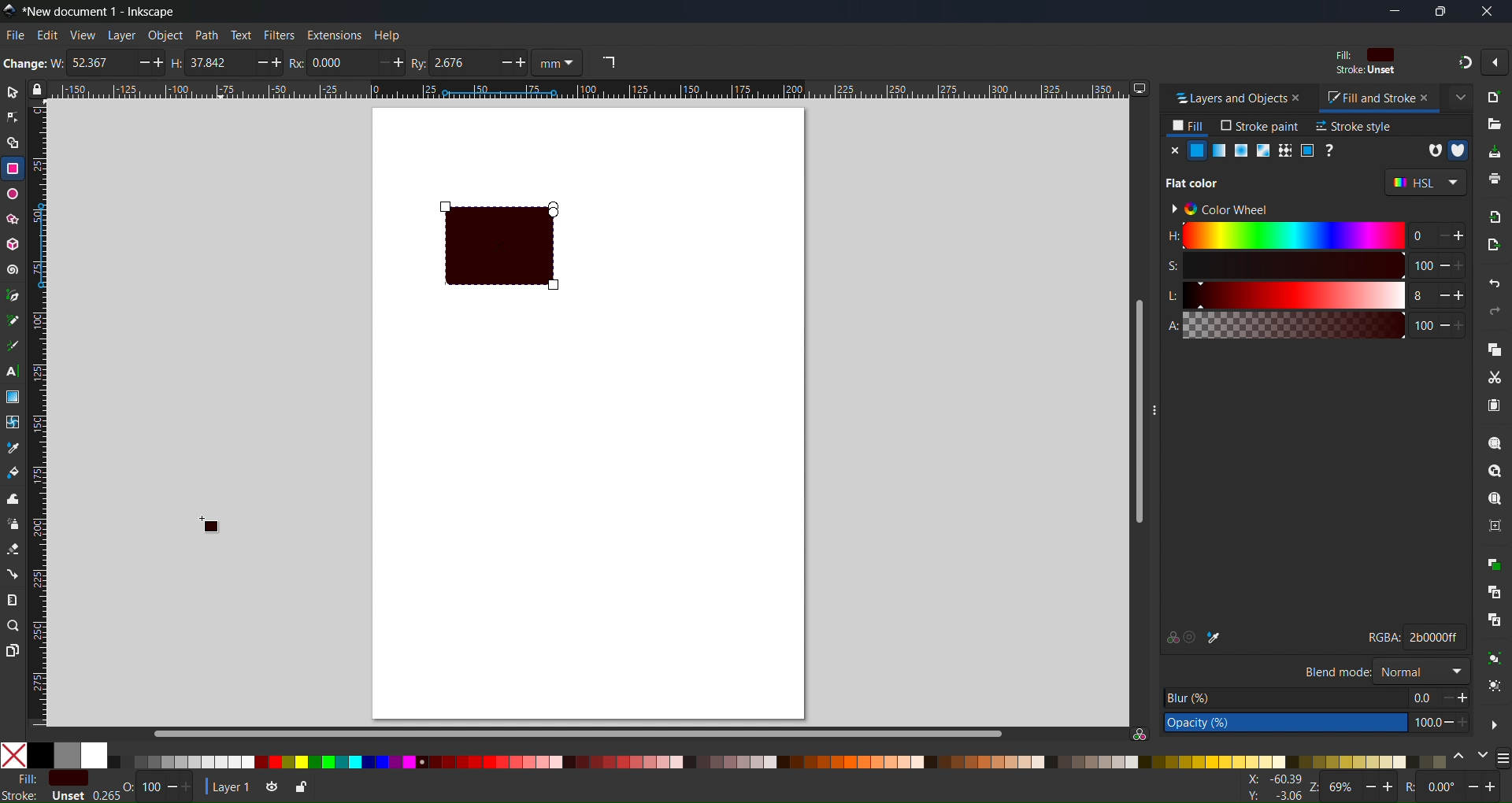 The height and width of the screenshot is (803, 1512). I want to click on Maximize width, so click(161, 64).